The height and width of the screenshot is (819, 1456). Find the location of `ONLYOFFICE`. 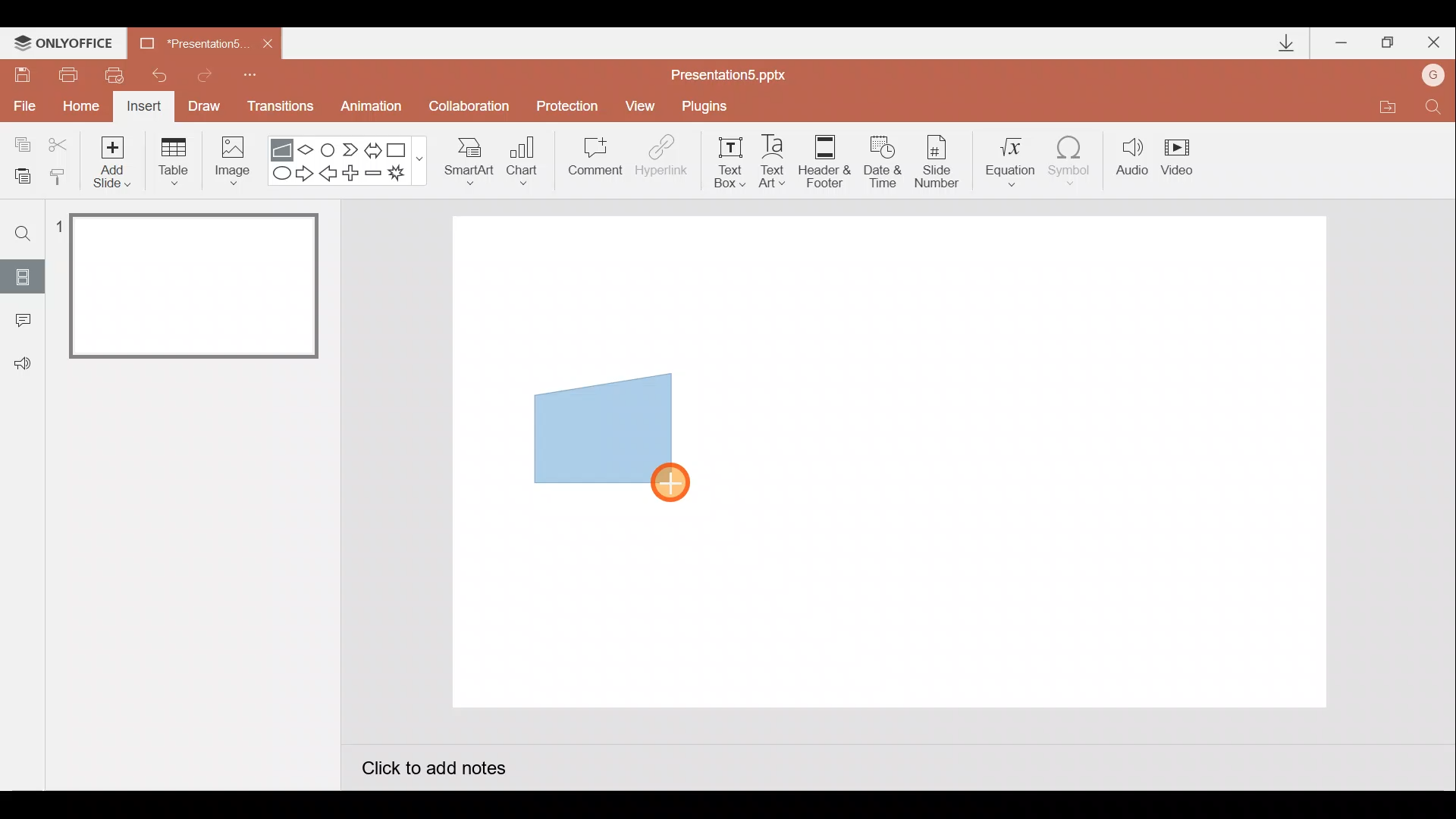

ONLYOFFICE is located at coordinates (67, 41).